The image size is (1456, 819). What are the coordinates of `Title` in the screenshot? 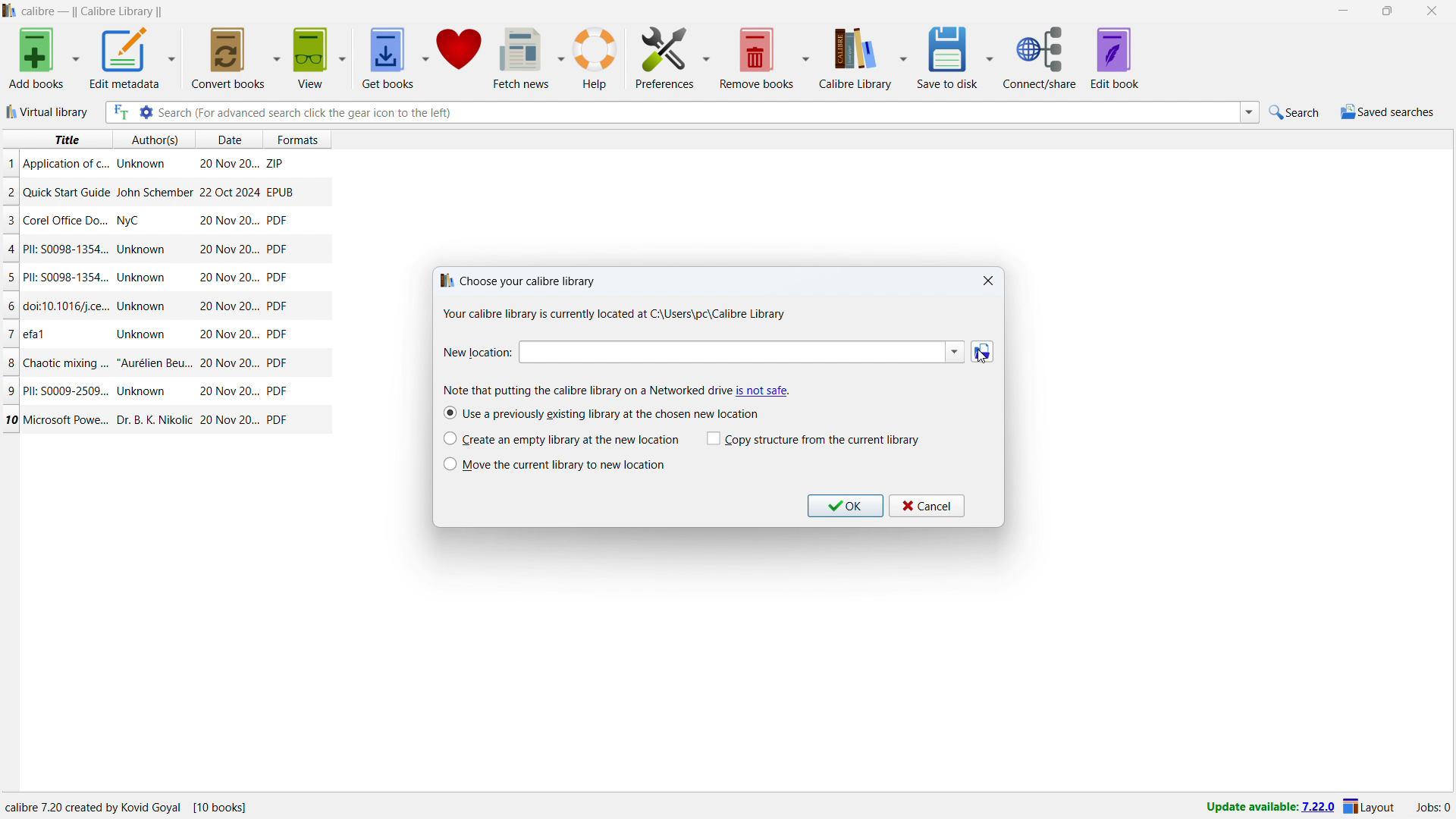 It's located at (66, 362).